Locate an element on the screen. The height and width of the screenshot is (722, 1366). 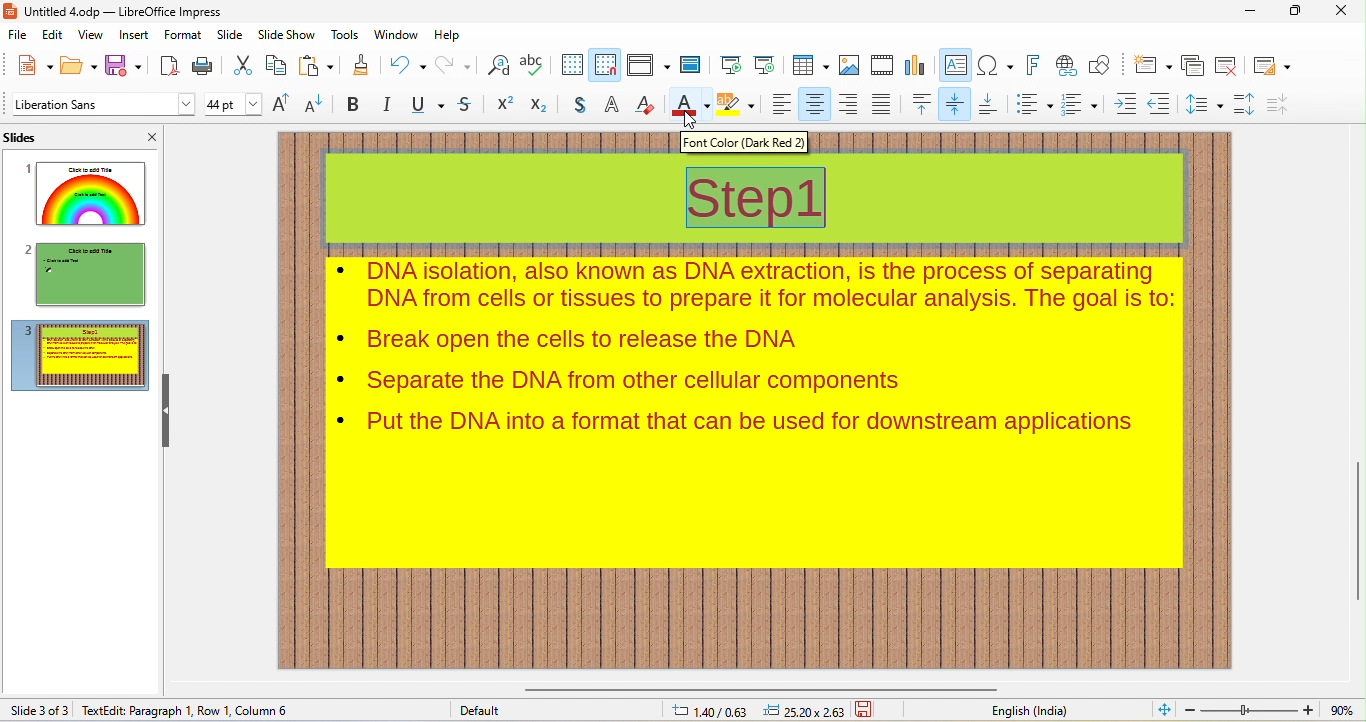
copy is located at coordinates (274, 66).